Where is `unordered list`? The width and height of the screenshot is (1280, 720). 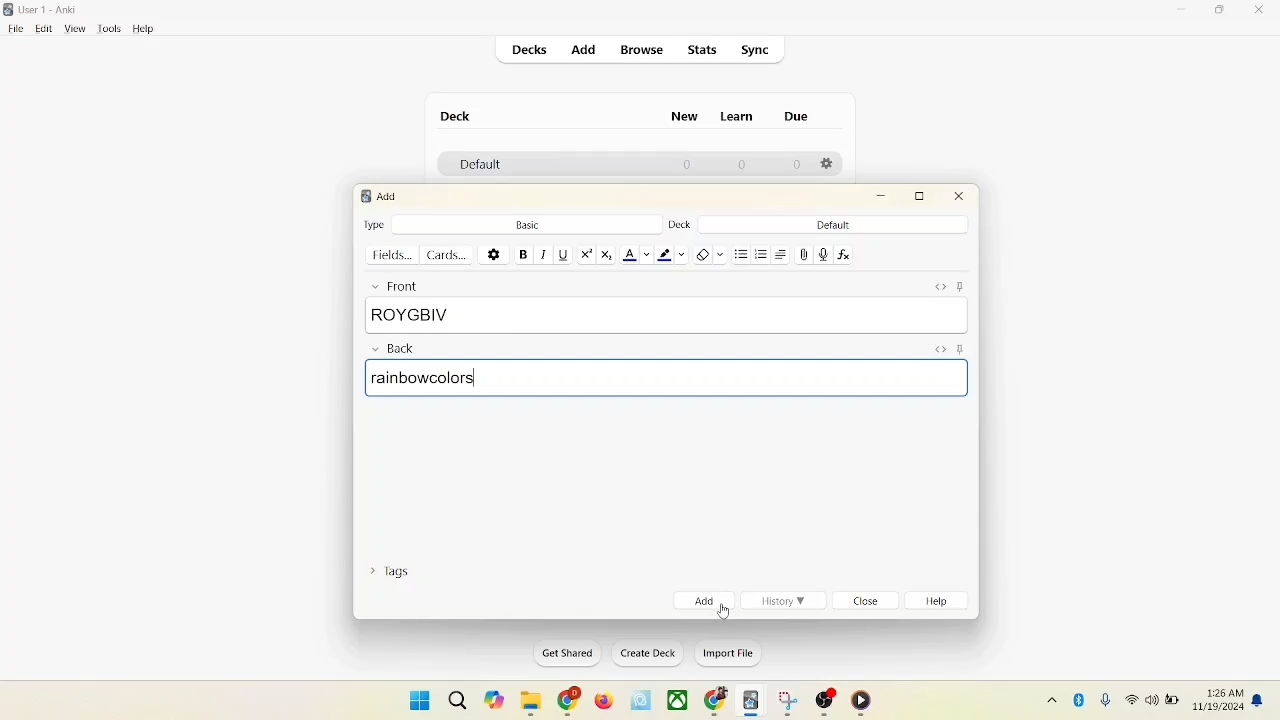 unordered list is located at coordinates (741, 252).